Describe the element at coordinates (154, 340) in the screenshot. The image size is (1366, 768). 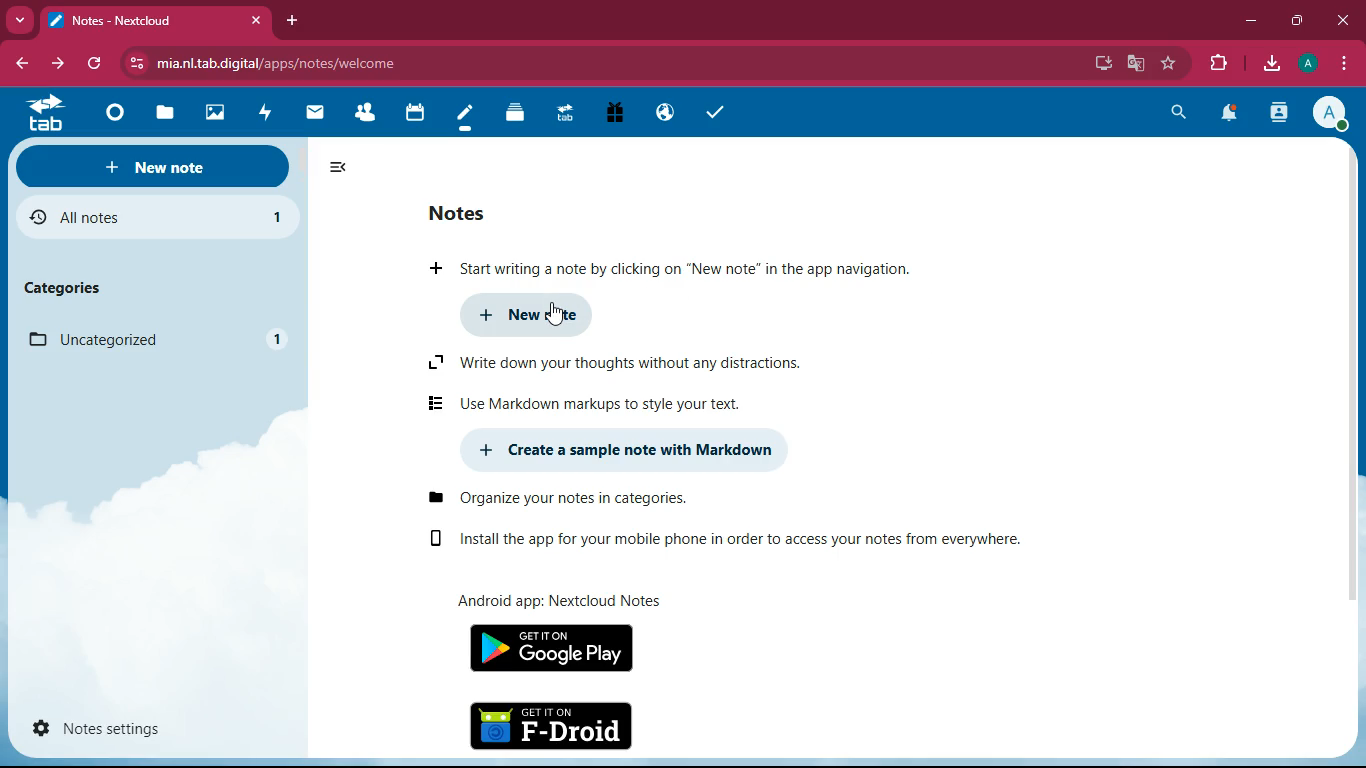
I see `uncategorized` at that location.